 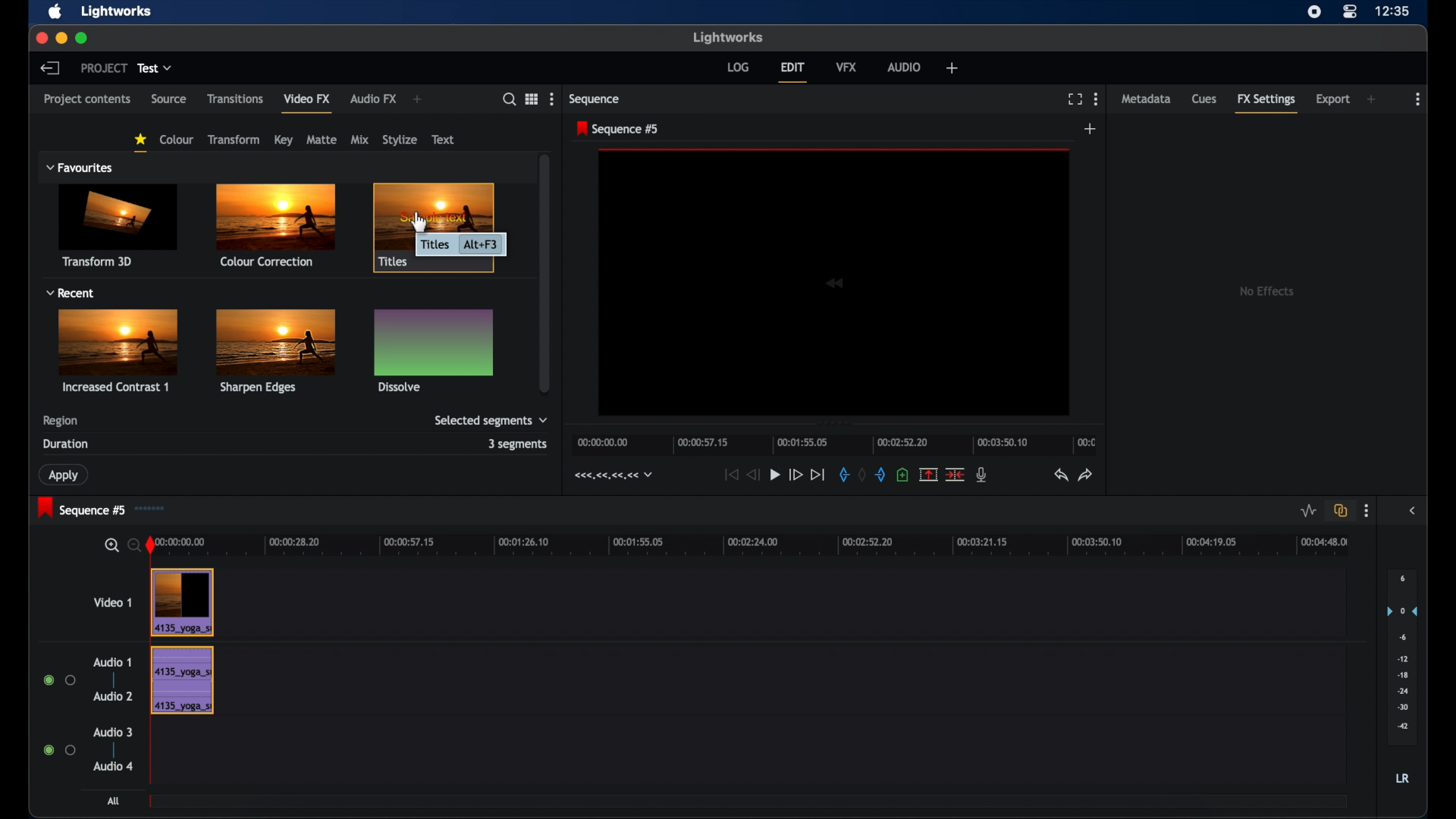 I want to click on project contents, so click(x=87, y=103).